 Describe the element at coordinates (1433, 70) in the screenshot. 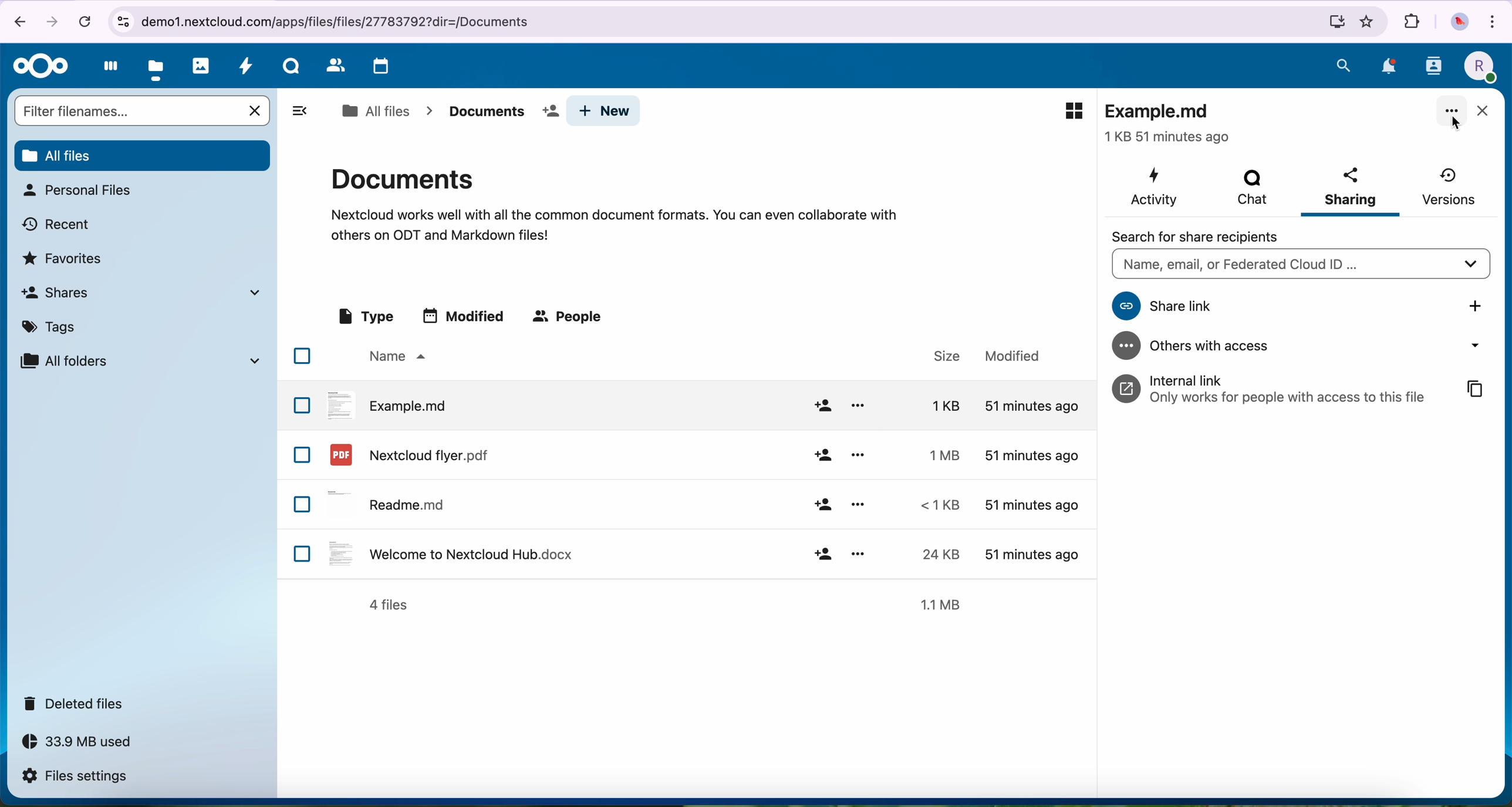

I see `contacts` at that location.